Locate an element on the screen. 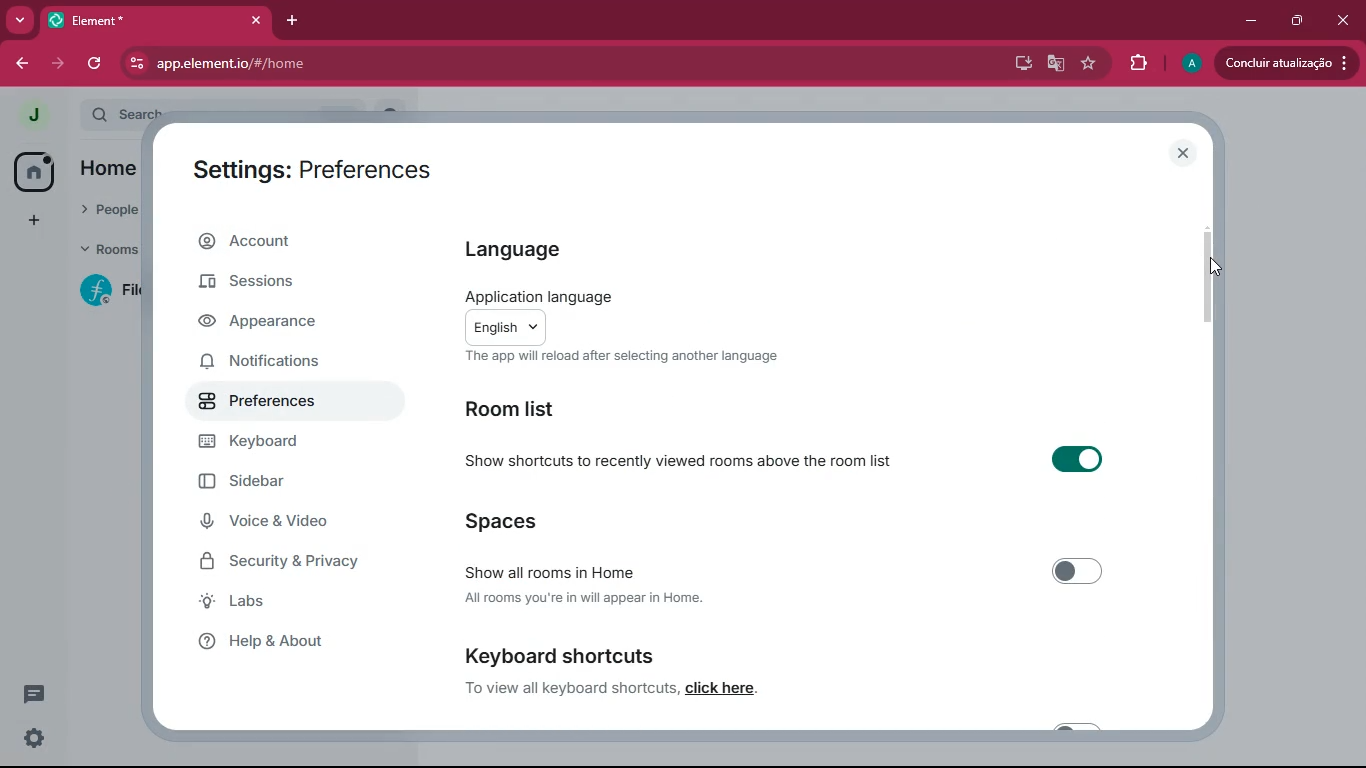 The width and height of the screenshot is (1366, 768). quick settings is located at coordinates (34, 738).